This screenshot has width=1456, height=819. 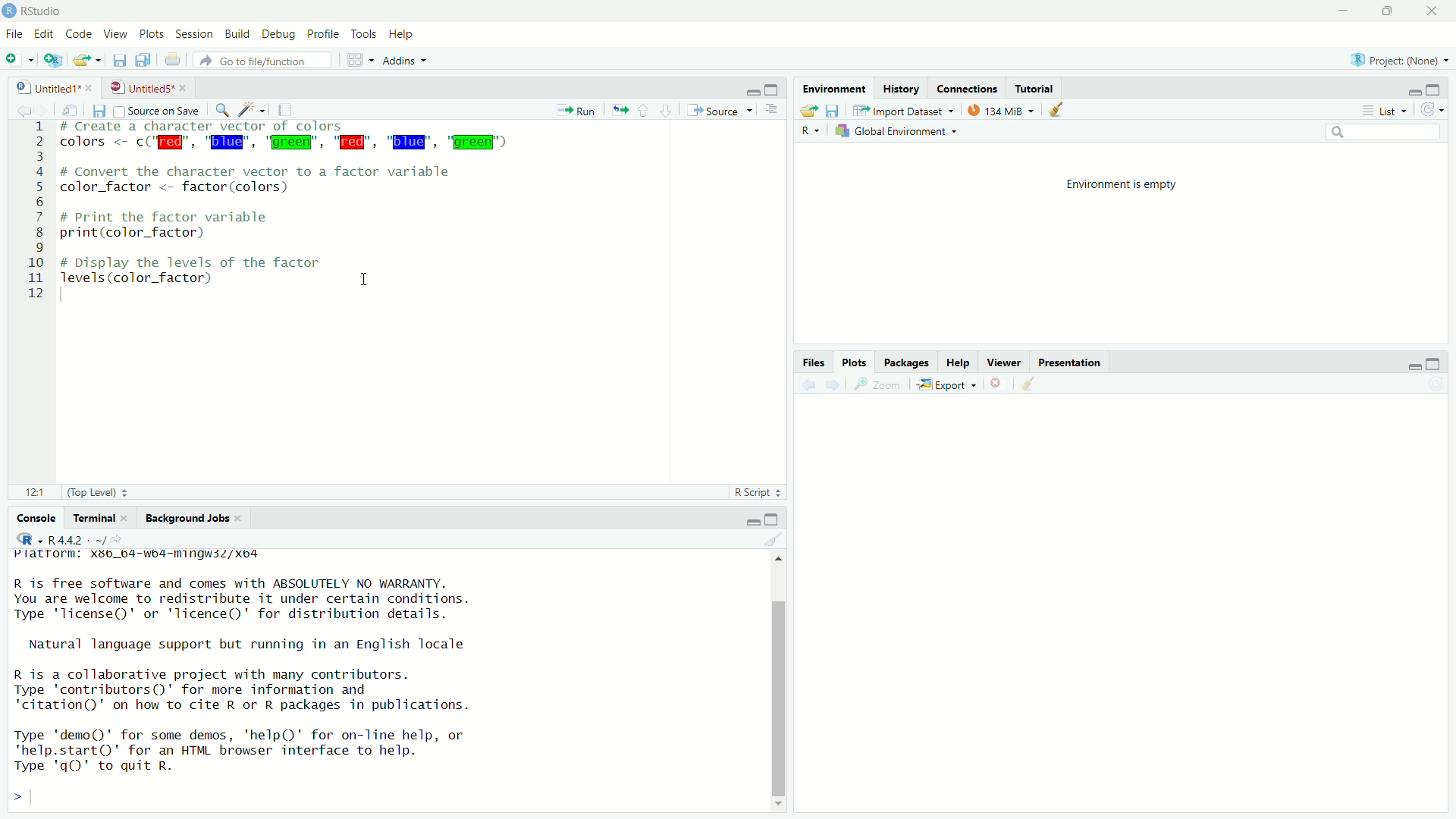 What do you see at coordinates (1131, 613) in the screenshot?
I see `empty plot area` at bounding box center [1131, 613].